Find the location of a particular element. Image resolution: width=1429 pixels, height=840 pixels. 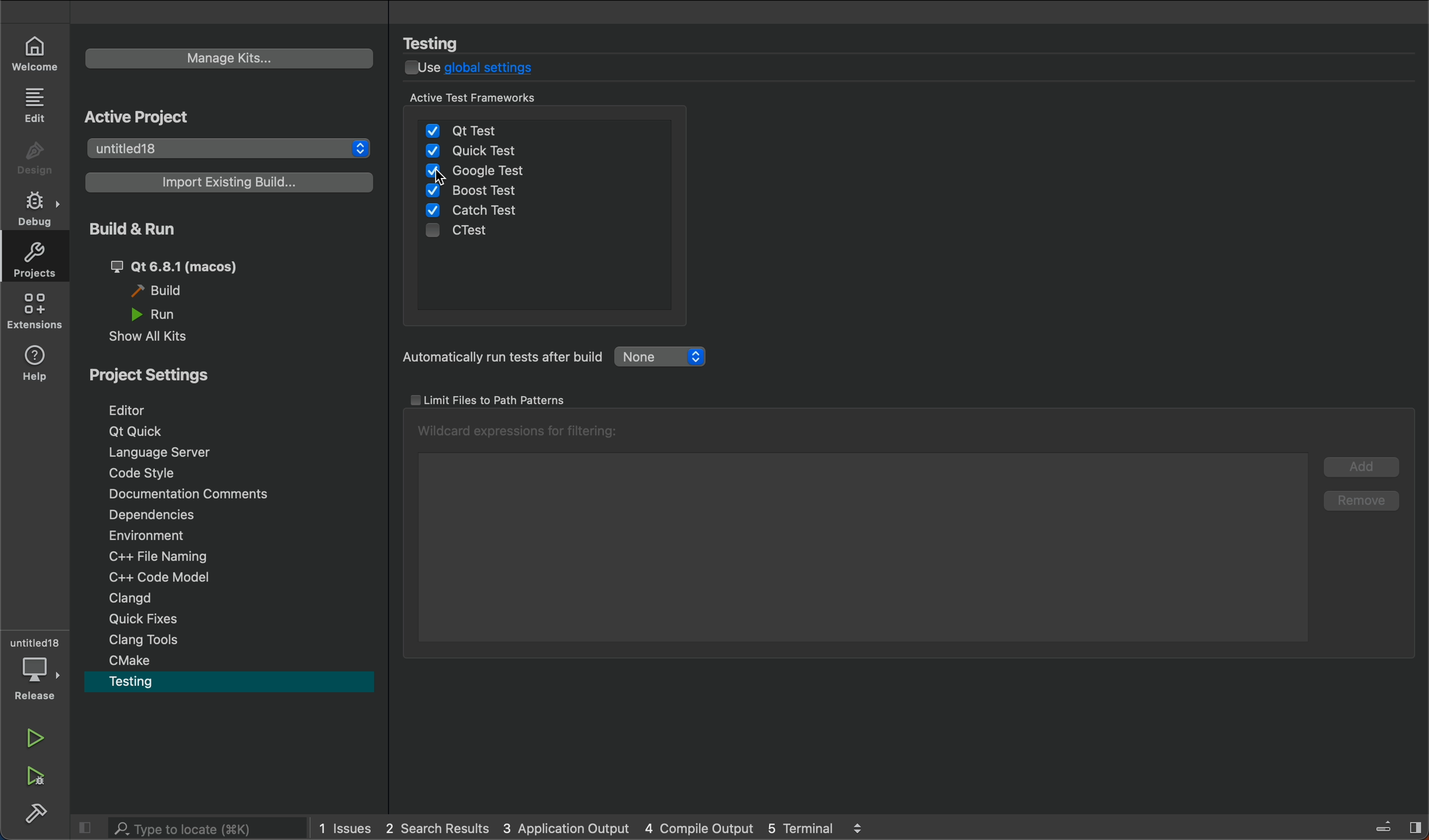

import build is located at coordinates (230, 183).